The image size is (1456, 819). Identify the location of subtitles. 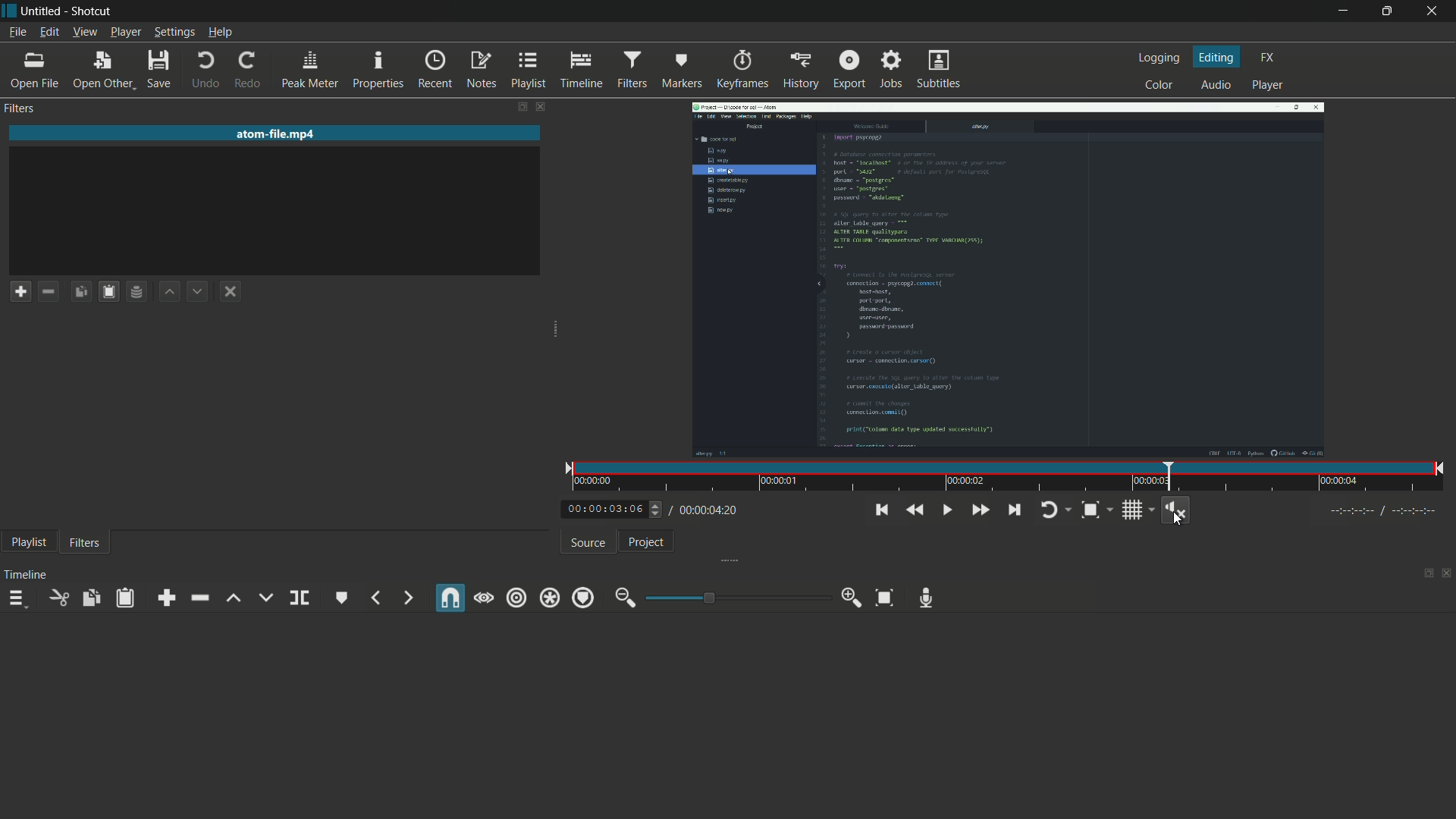
(940, 70).